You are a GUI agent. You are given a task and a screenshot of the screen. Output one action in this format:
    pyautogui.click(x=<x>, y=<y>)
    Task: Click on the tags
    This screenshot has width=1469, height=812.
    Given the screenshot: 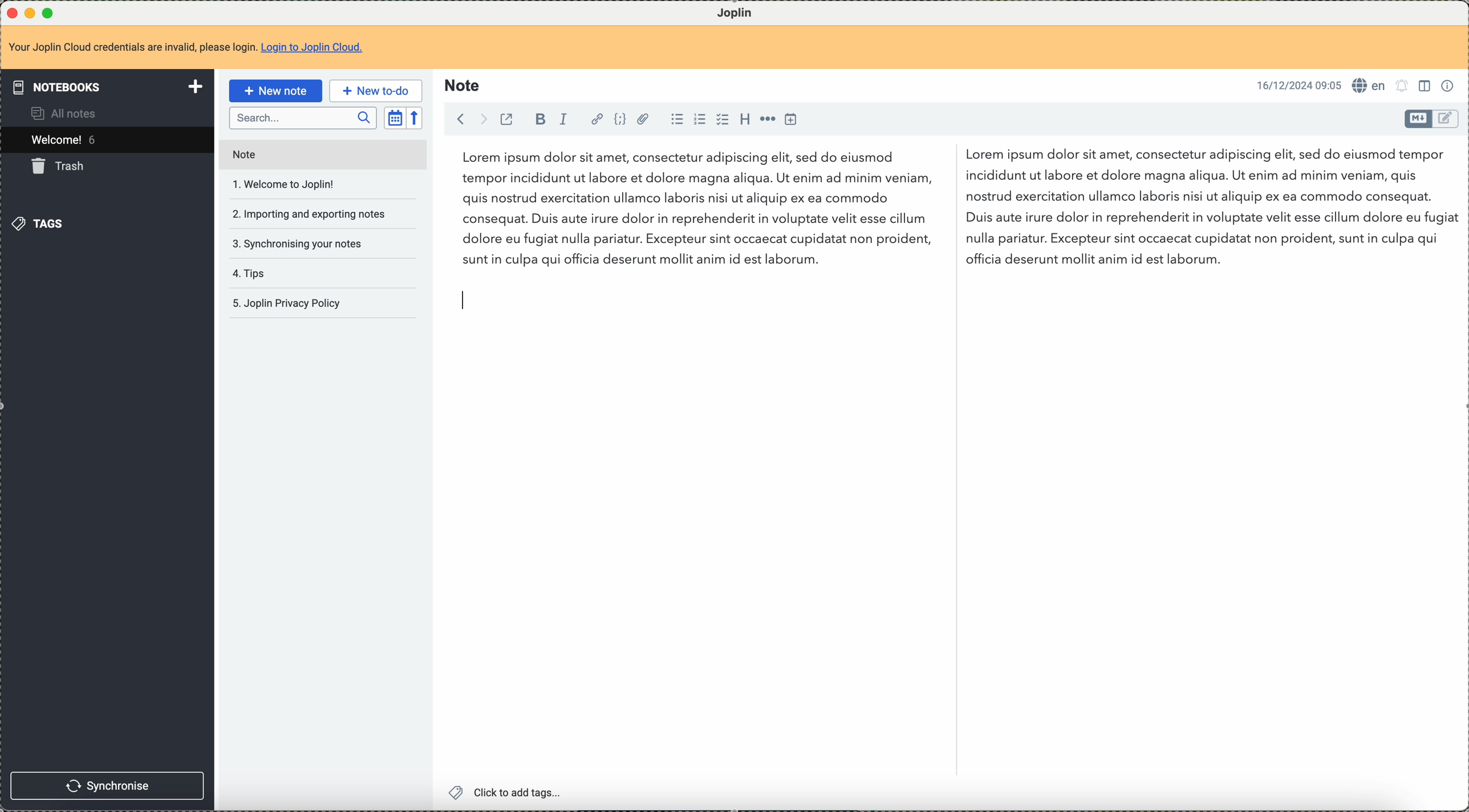 What is the action you would take?
    pyautogui.click(x=40, y=224)
    